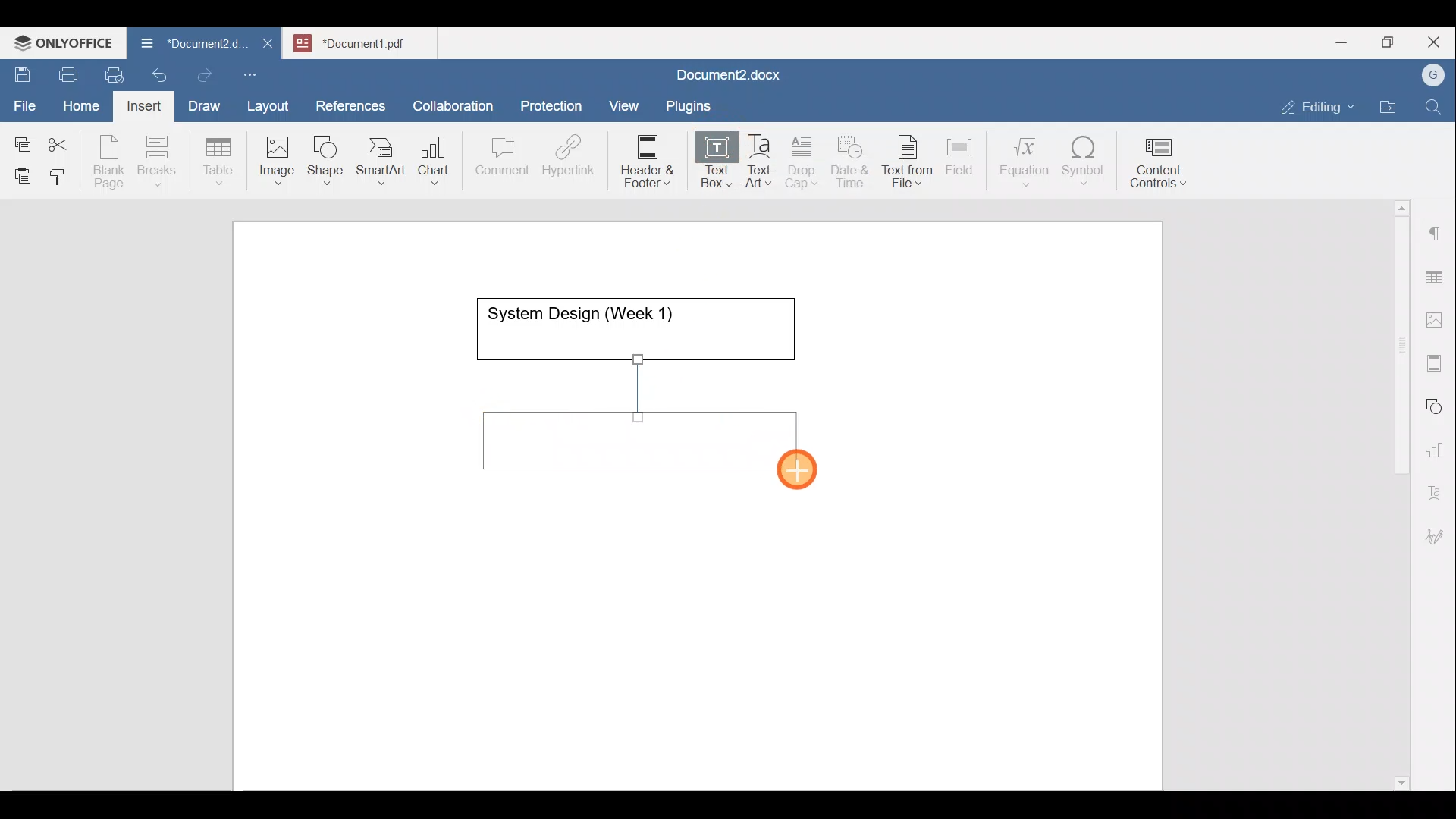  I want to click on Plugins, so click(693, 104).